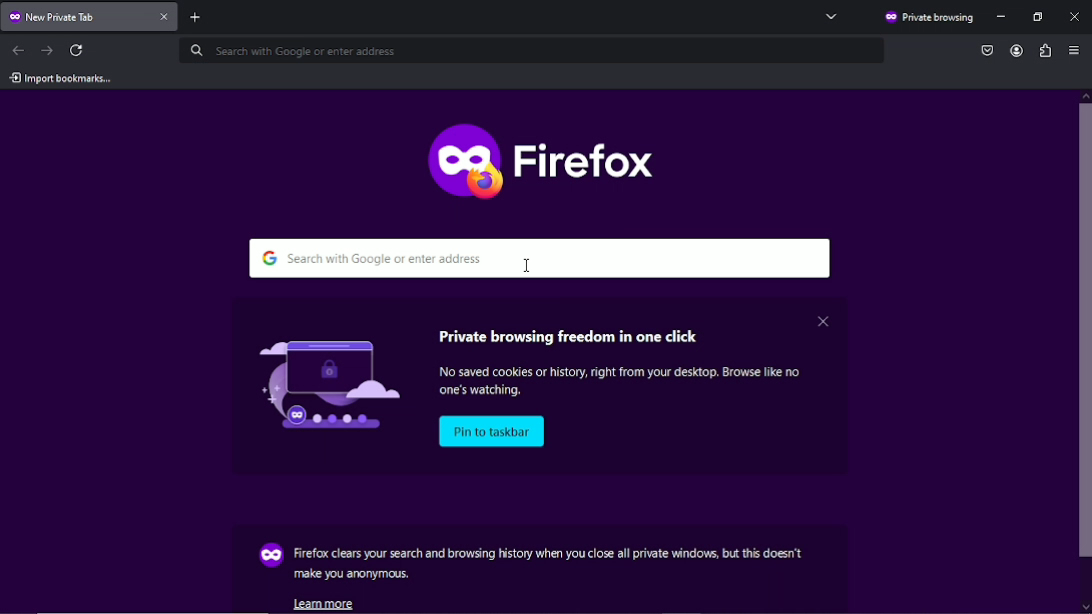 Image resolution: width=1092 pixels, height=614 pixels. Describe the element at coordinates (47, 49) in the screenshot. I see `go forward` at that location.